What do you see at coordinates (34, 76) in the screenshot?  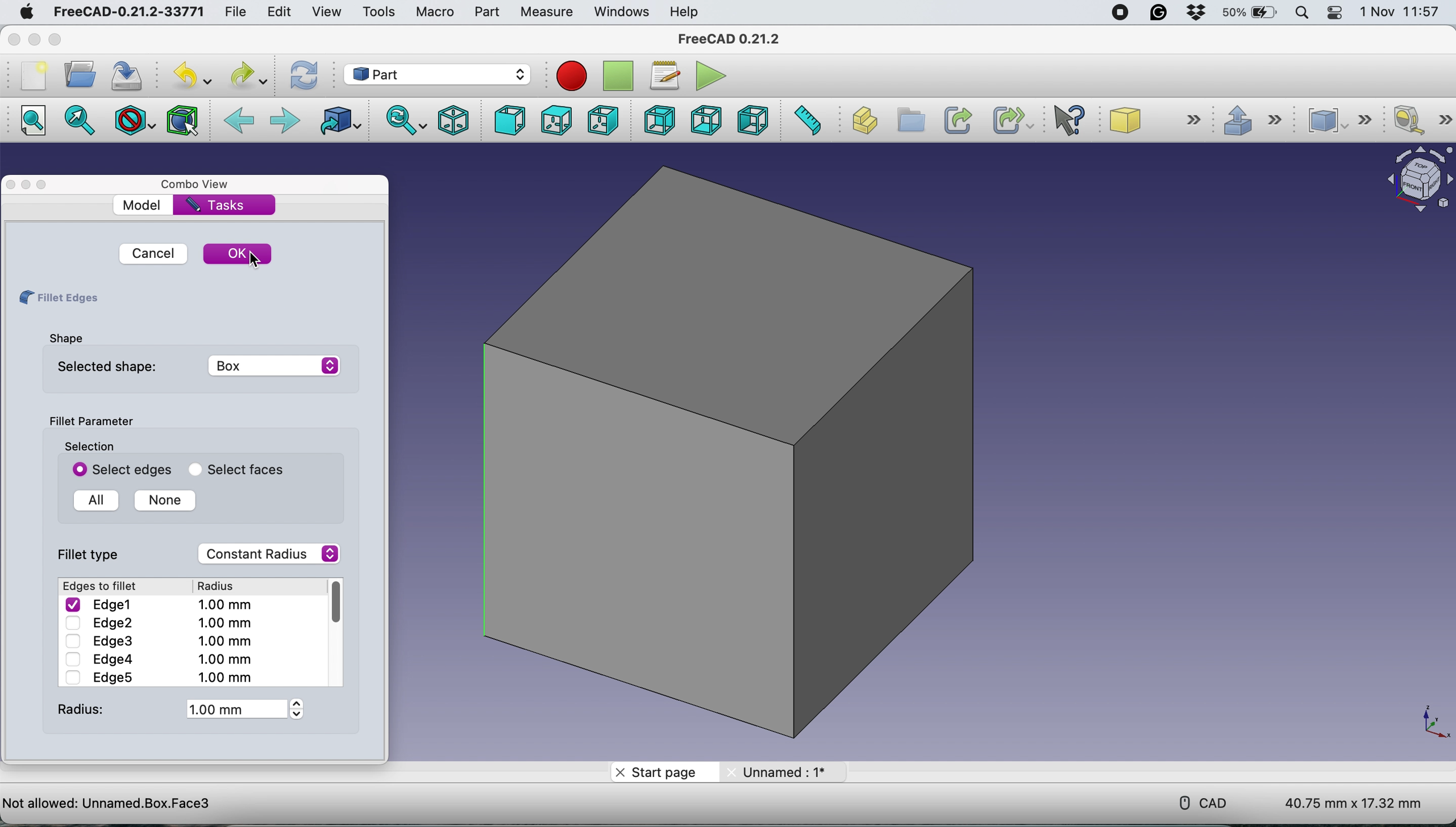 I see `new ` at bounding box center [34, 76].